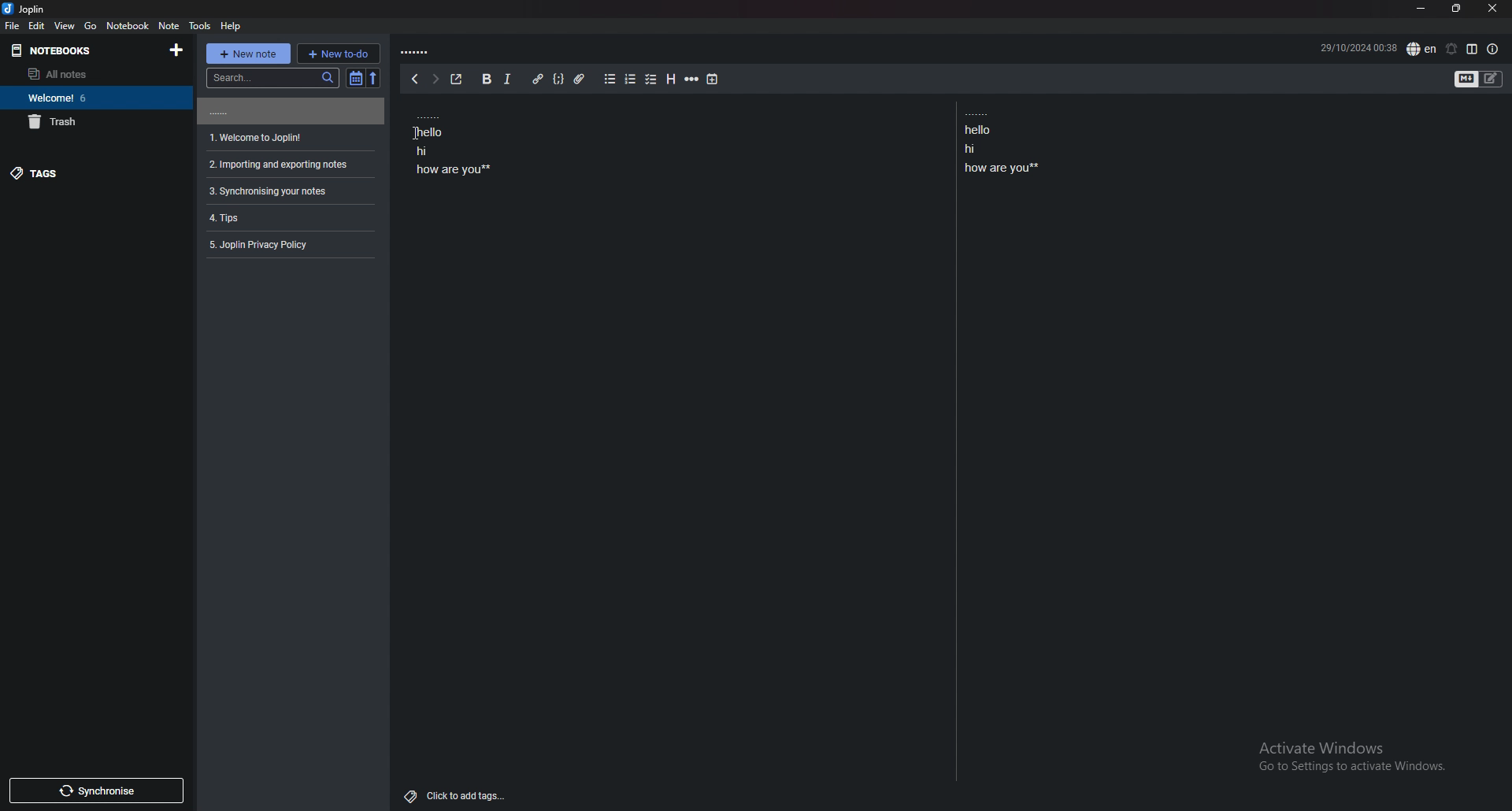 The image size is (1512, 811). I want to click on new note, so click(246, 54).